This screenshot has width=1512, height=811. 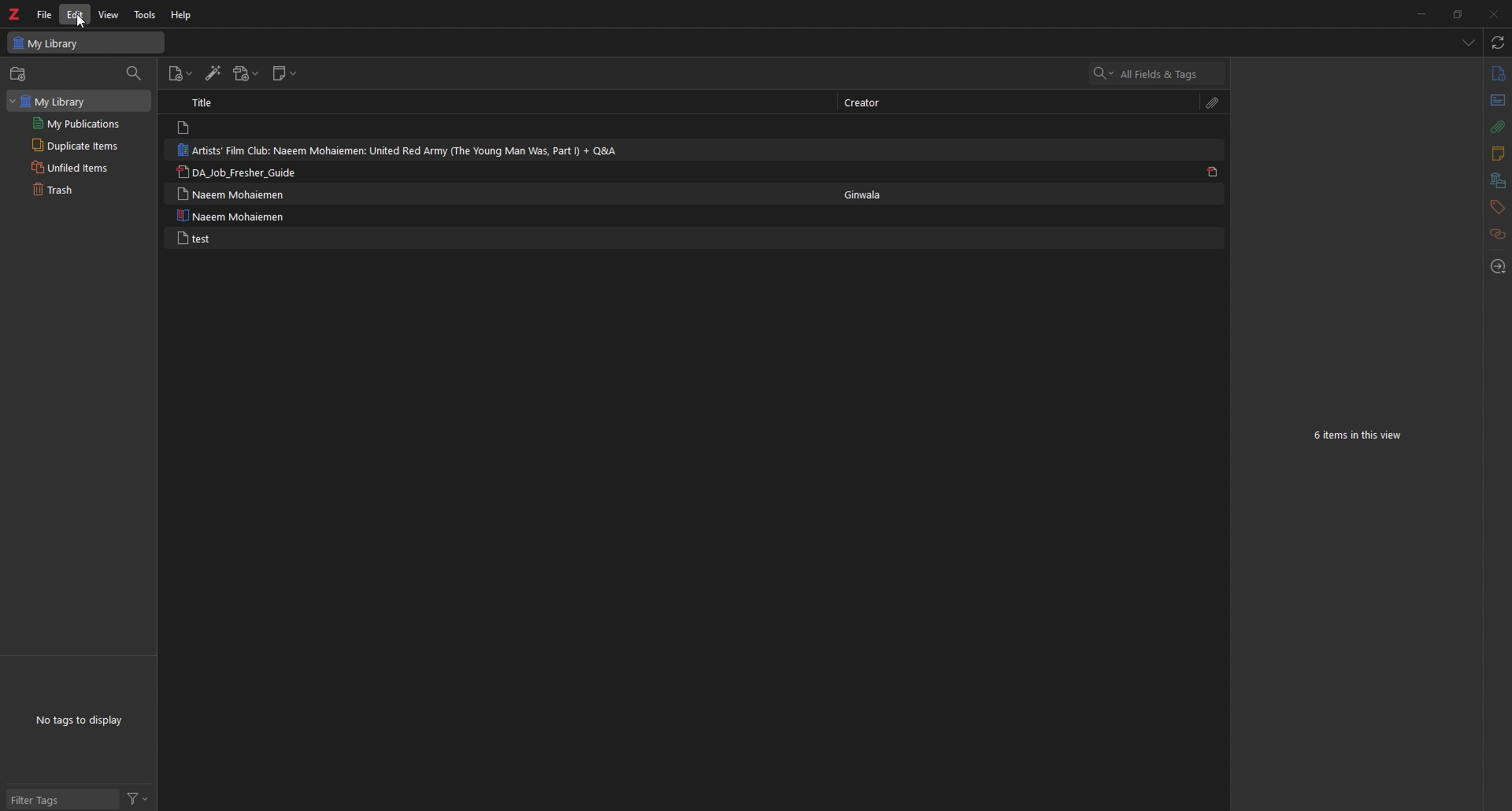 What do you see at coordinates (20, 74) in the screenshot?
I see `add items` at bounding box center [20, 74].